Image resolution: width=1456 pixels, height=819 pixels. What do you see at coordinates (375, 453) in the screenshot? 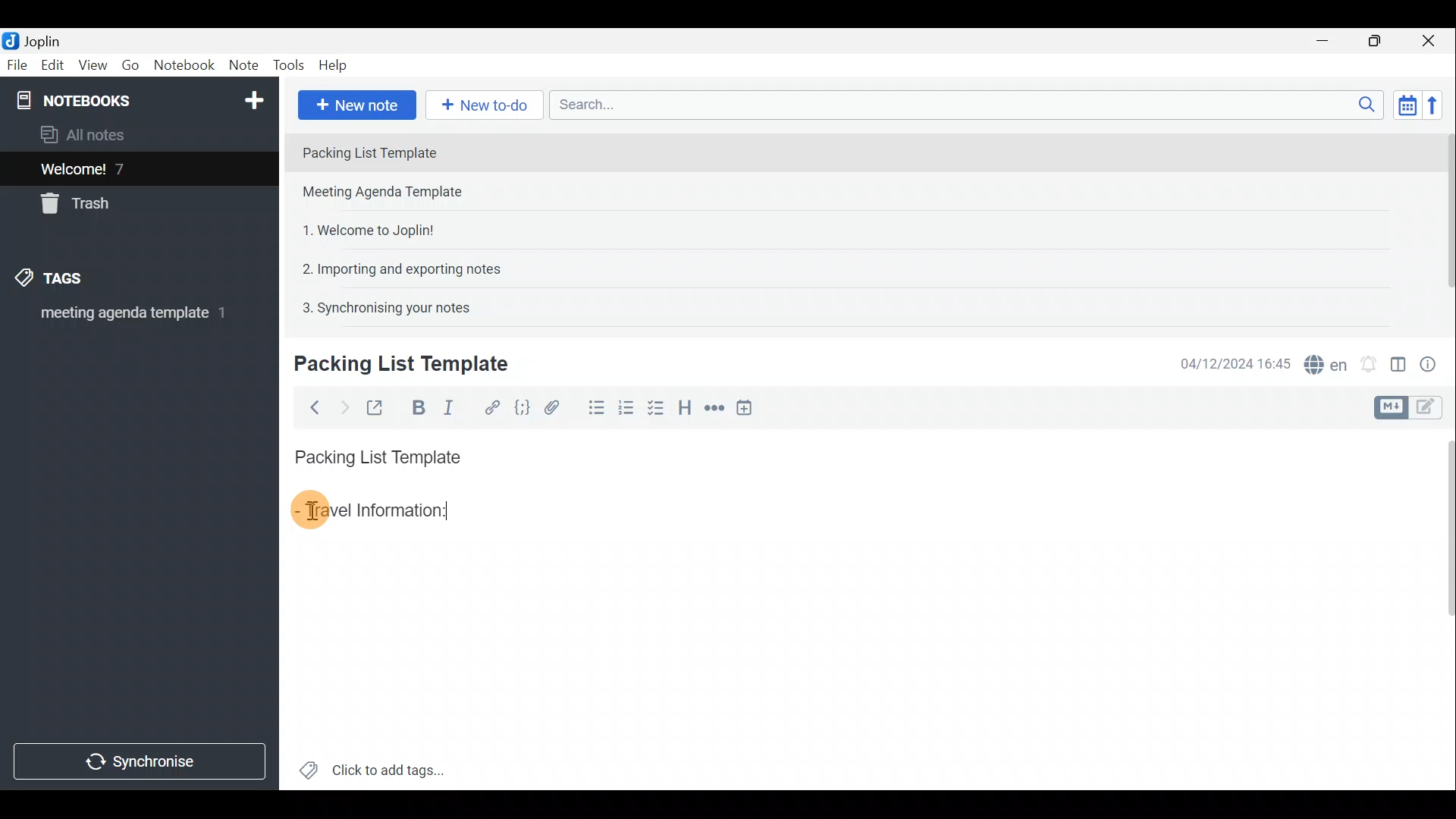
I see `Packing List Template` at bounding box center [375, 453].